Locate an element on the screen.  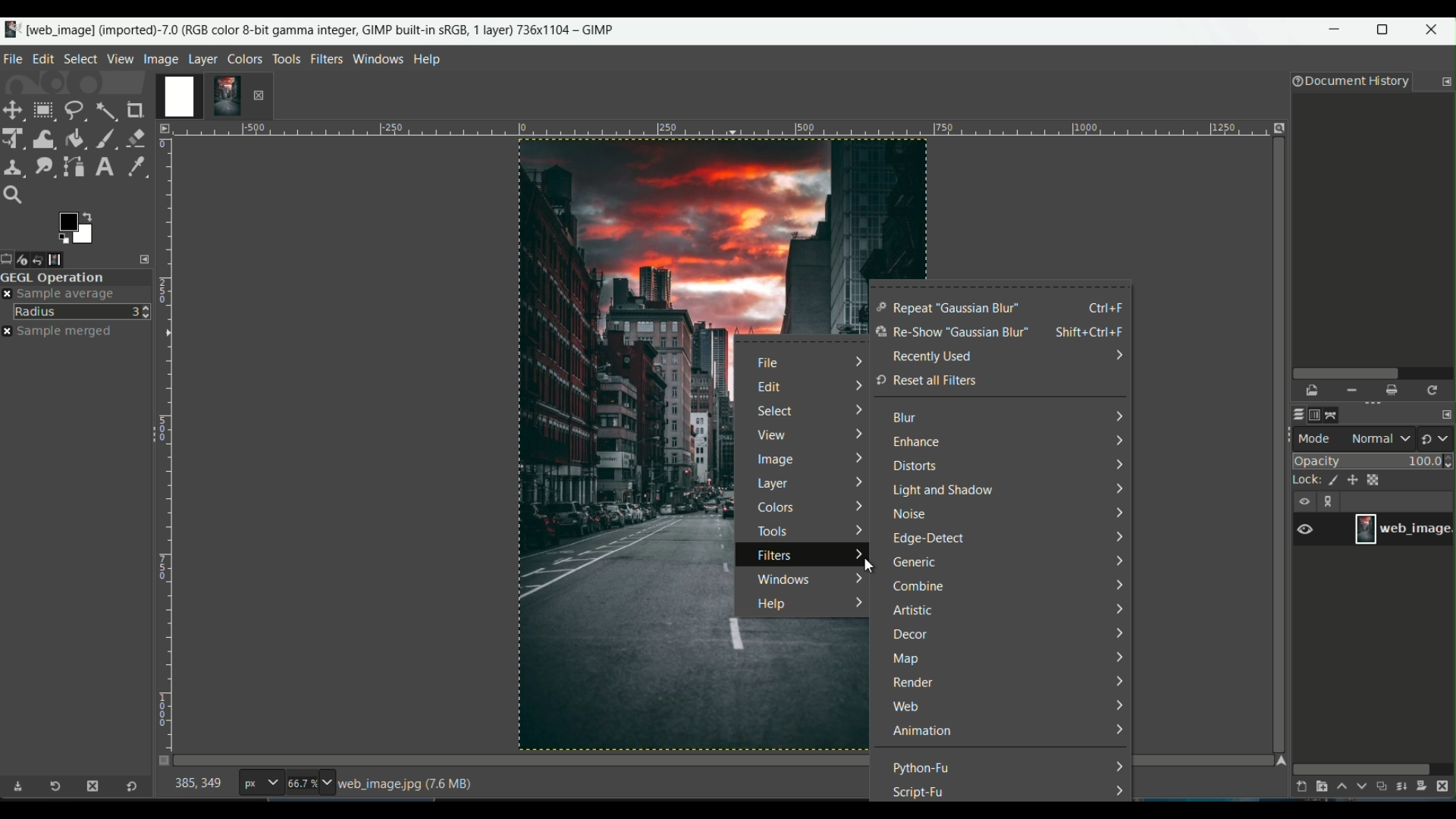
noise is located at coordinates (911, 516).